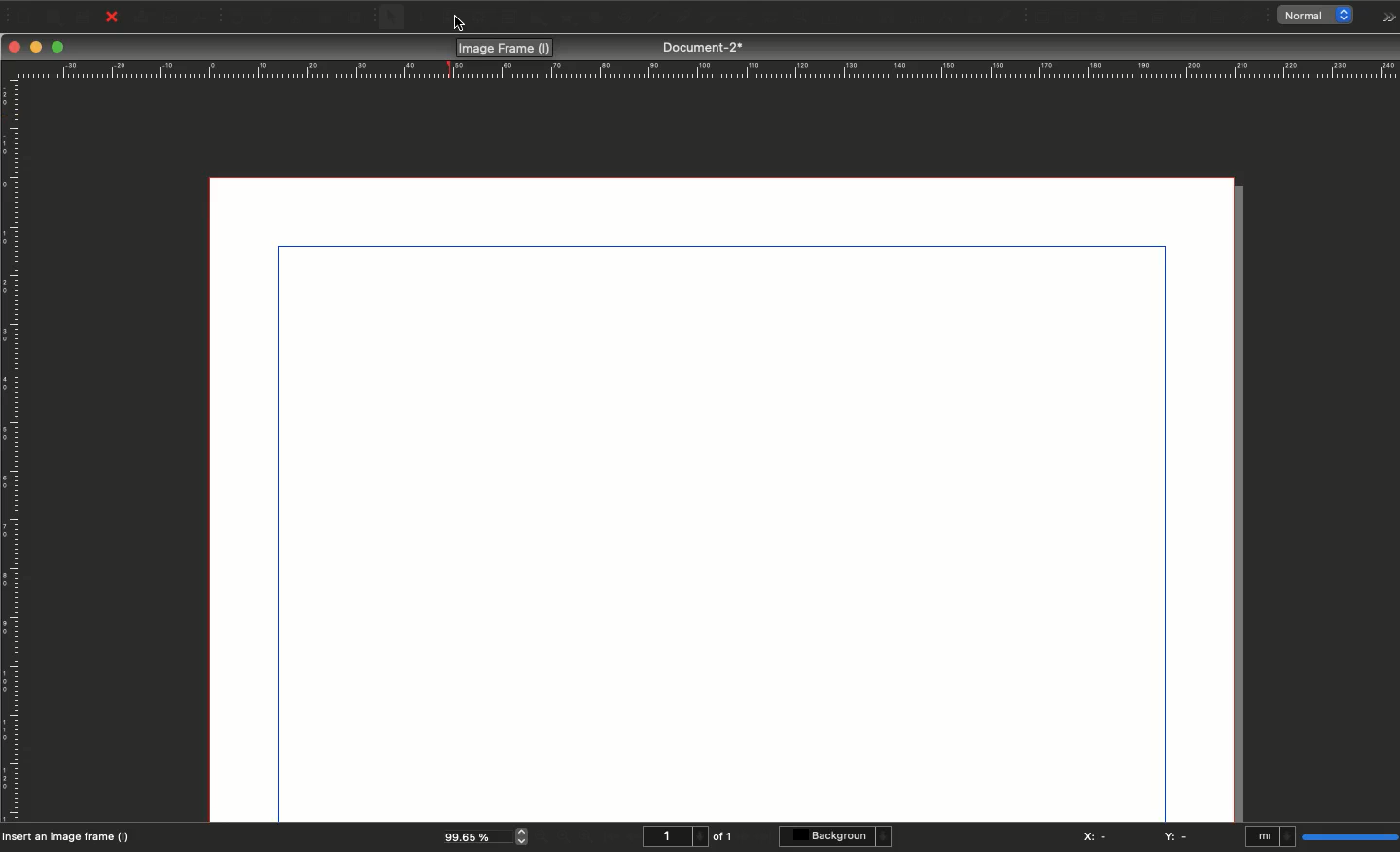  Describe the element at coordinates (267, 18) in the screenshot. I see `Redo` at that location.